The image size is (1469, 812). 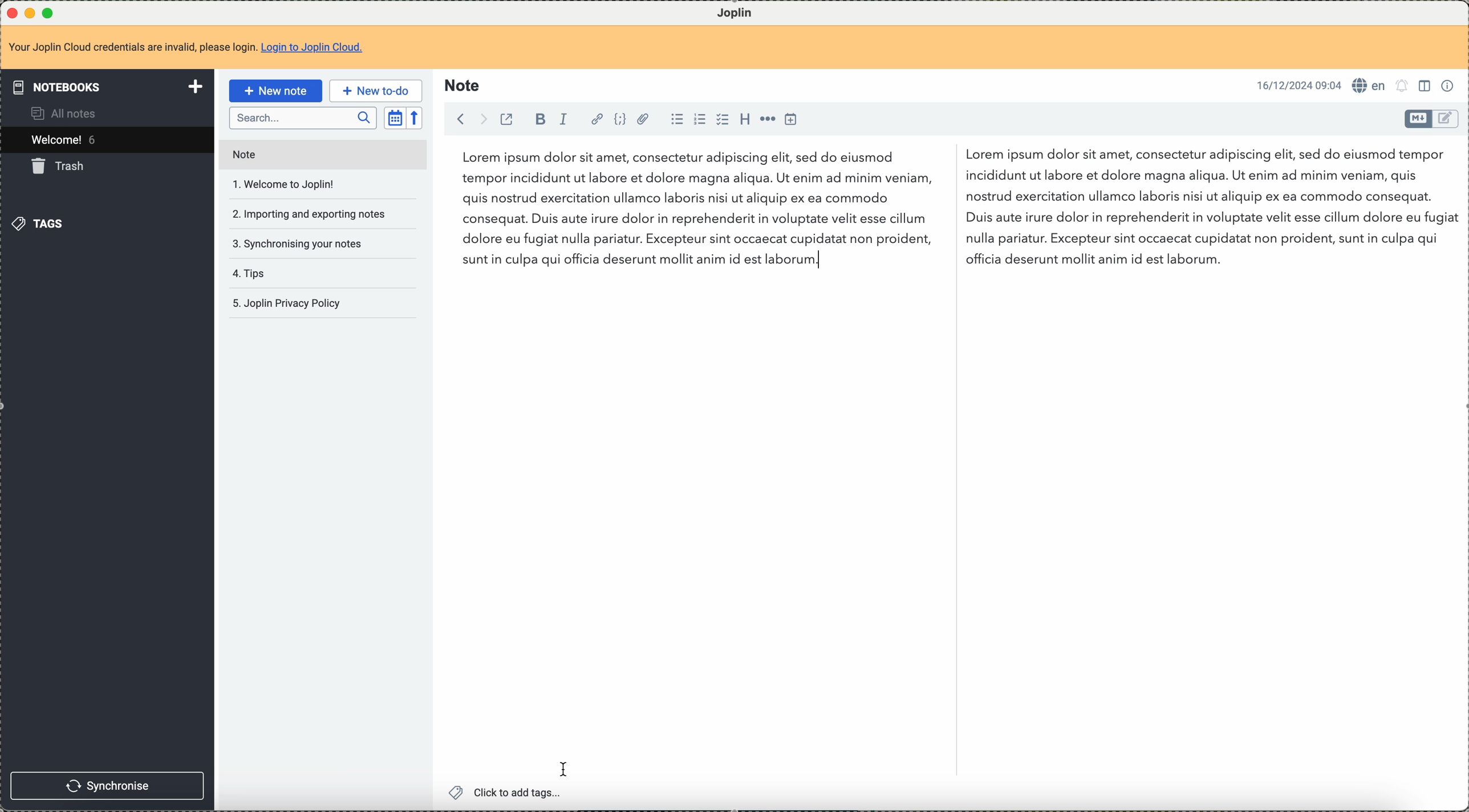 I want to click on horizontal rule, so click(x=769, y=121).